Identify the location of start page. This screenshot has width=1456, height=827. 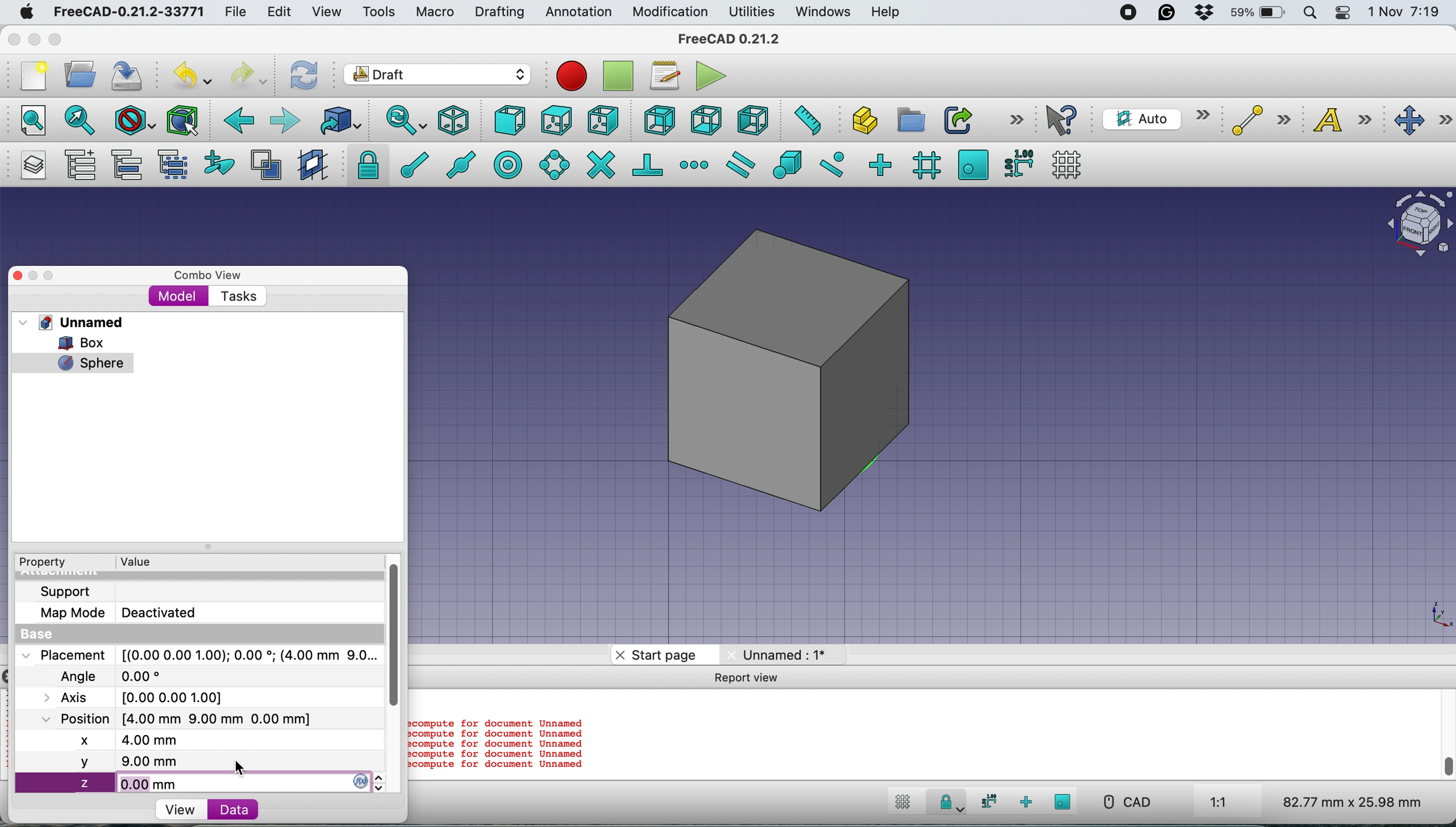
(668, 655).